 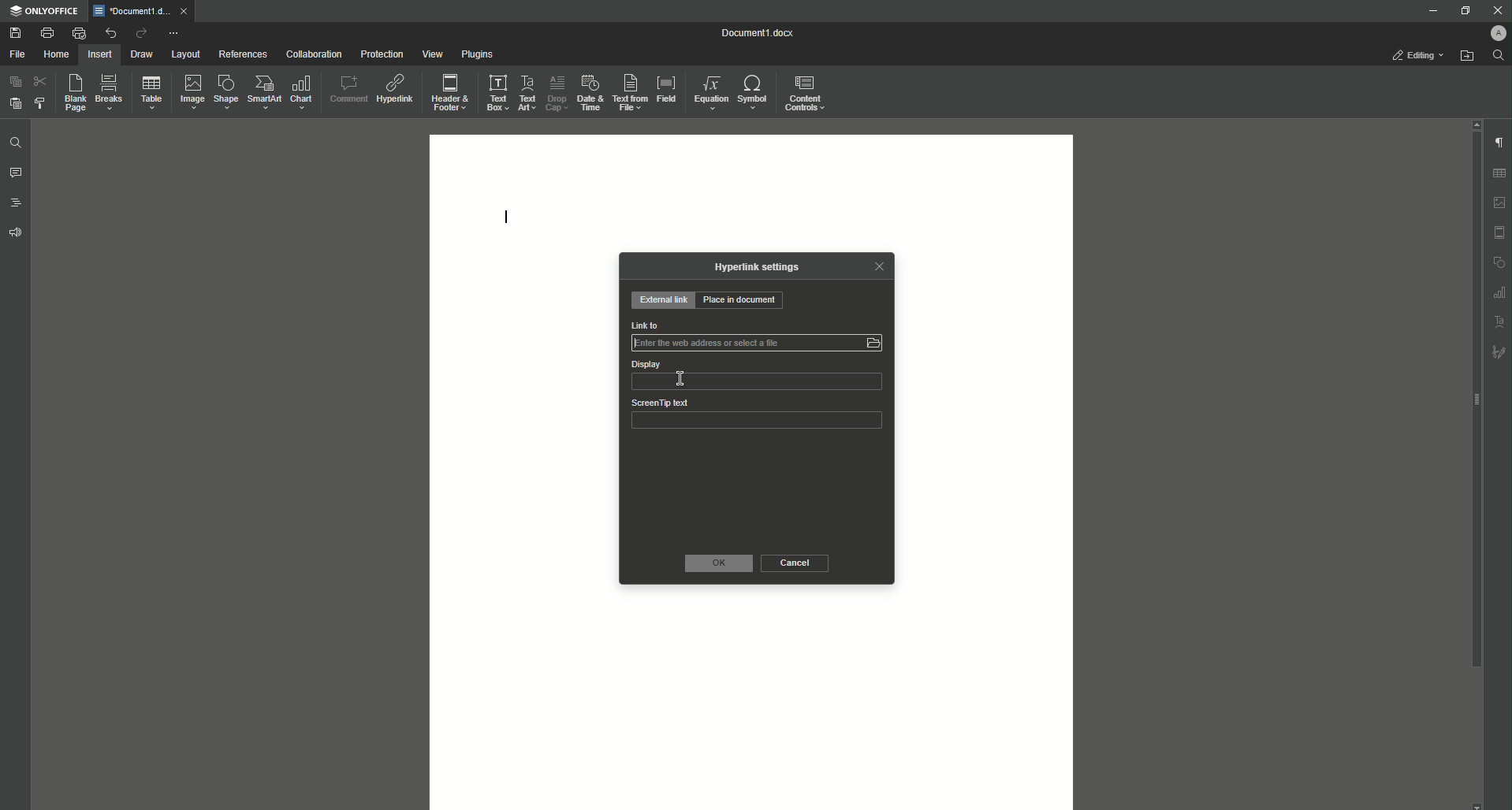 What do you see at coordinates (47, 32) in the screenshot?
I see `Print` at bounding box center [47, 32].